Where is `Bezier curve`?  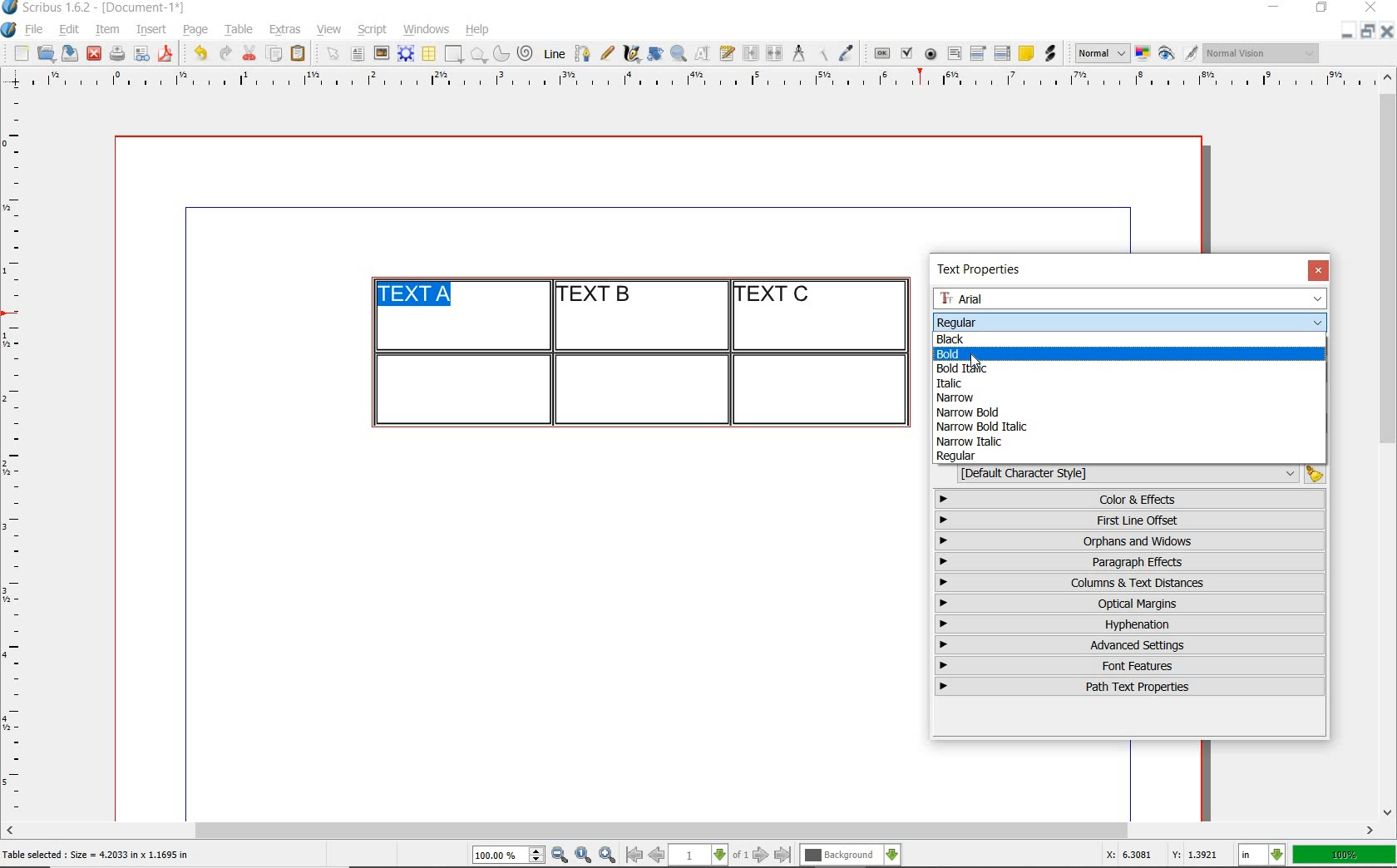
Bezier curve is located at coordinates (581, 53).